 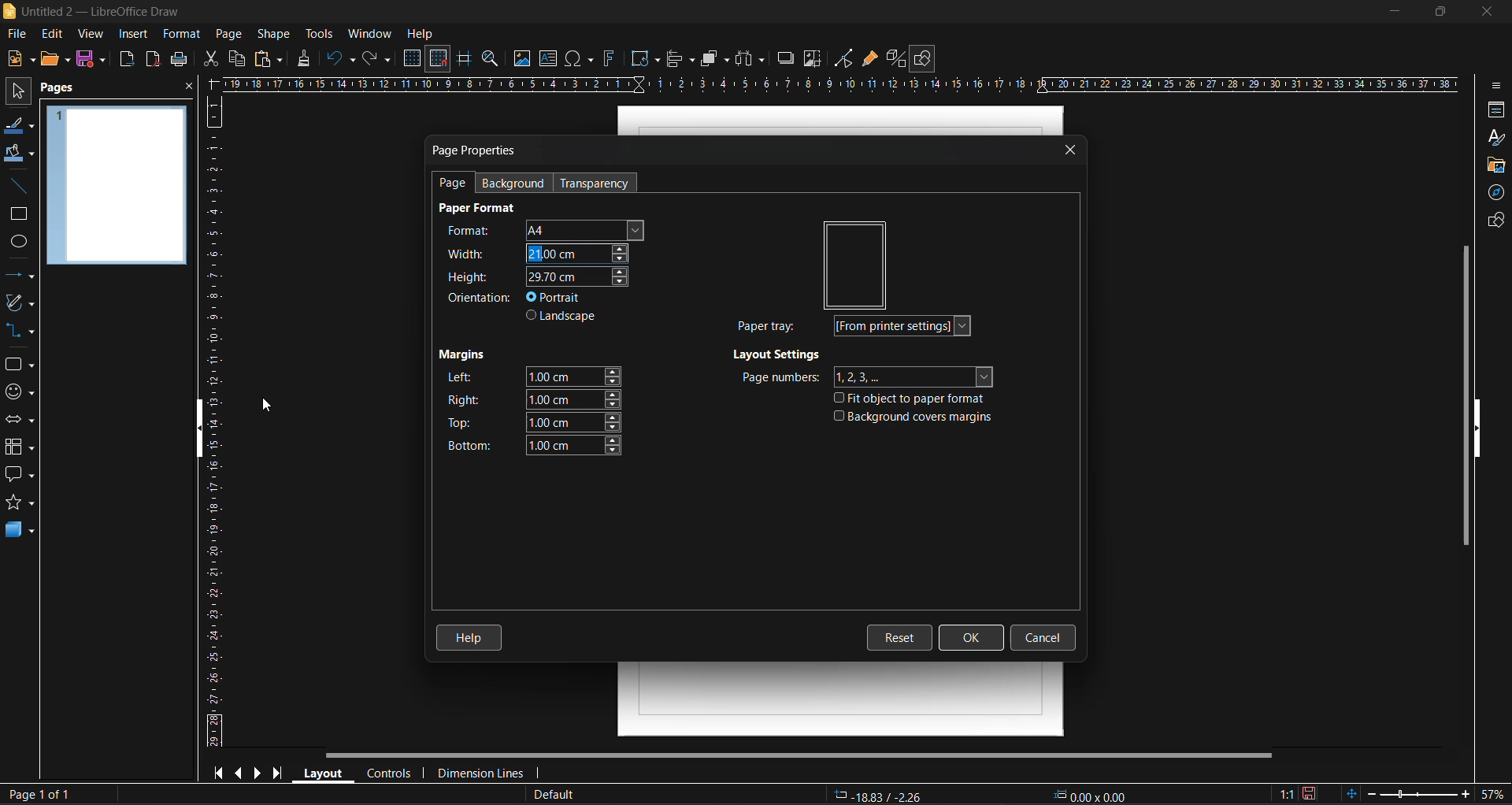 I want to click on rectangle, so click(x=18, y=216).